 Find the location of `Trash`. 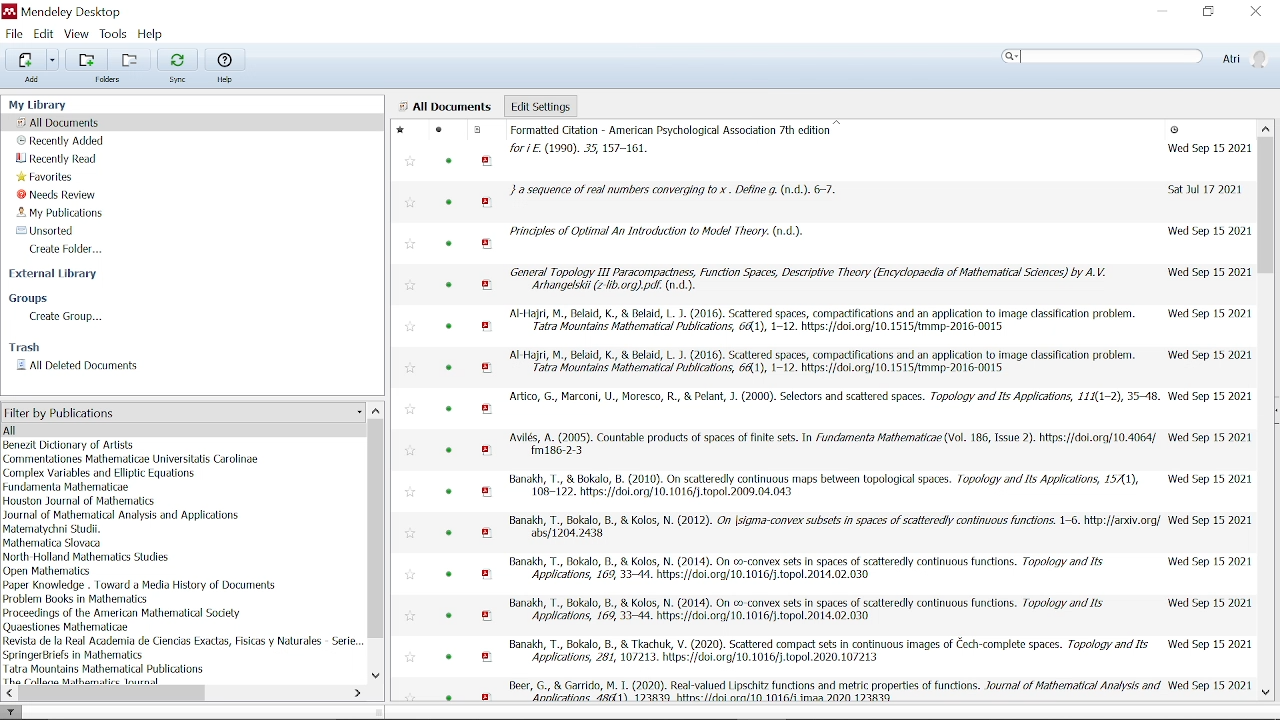

Trash is located at coordinates (24, 347).